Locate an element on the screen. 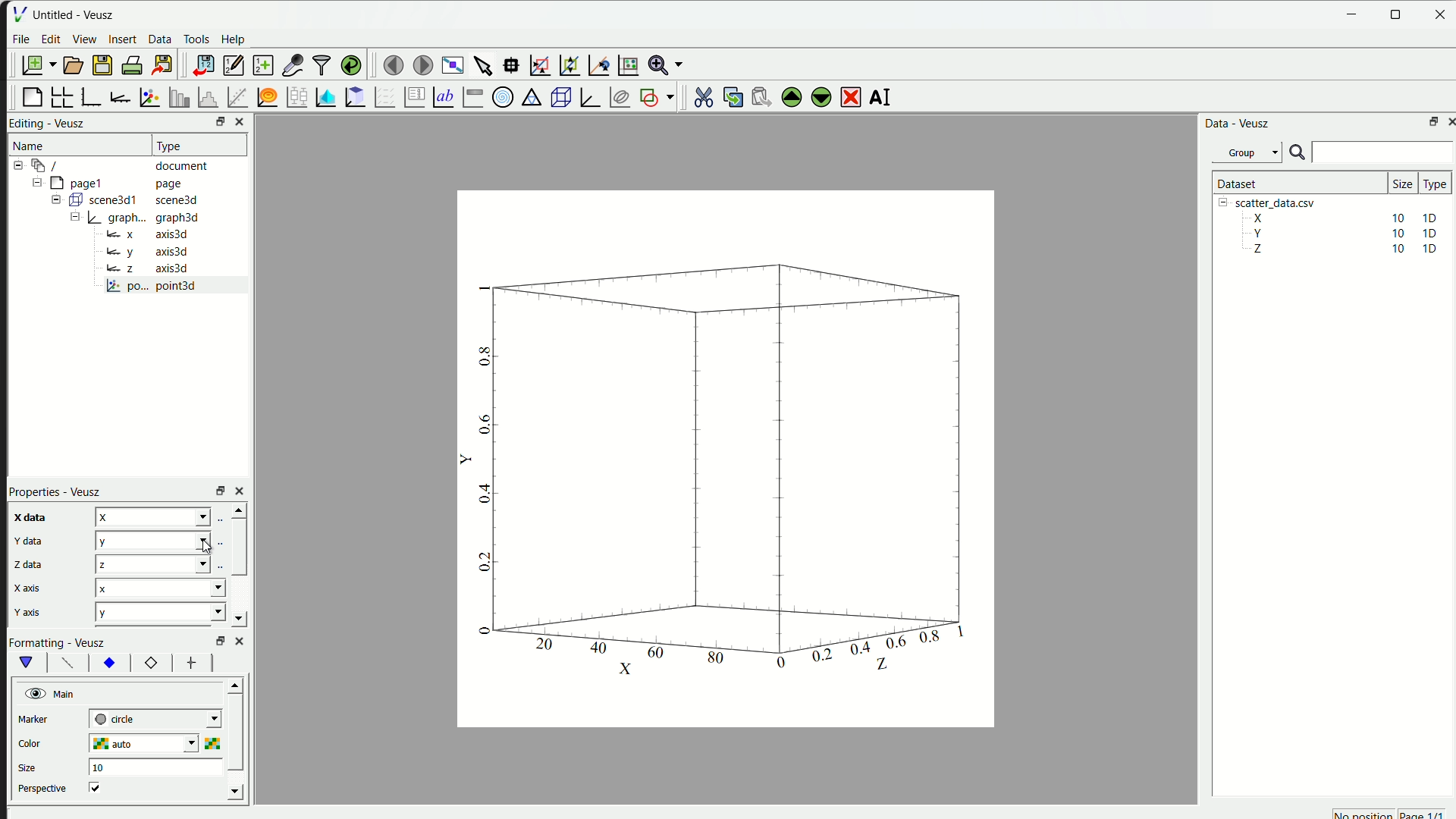 The image size is (1456, 819). color is located at coordinates (46, 742).